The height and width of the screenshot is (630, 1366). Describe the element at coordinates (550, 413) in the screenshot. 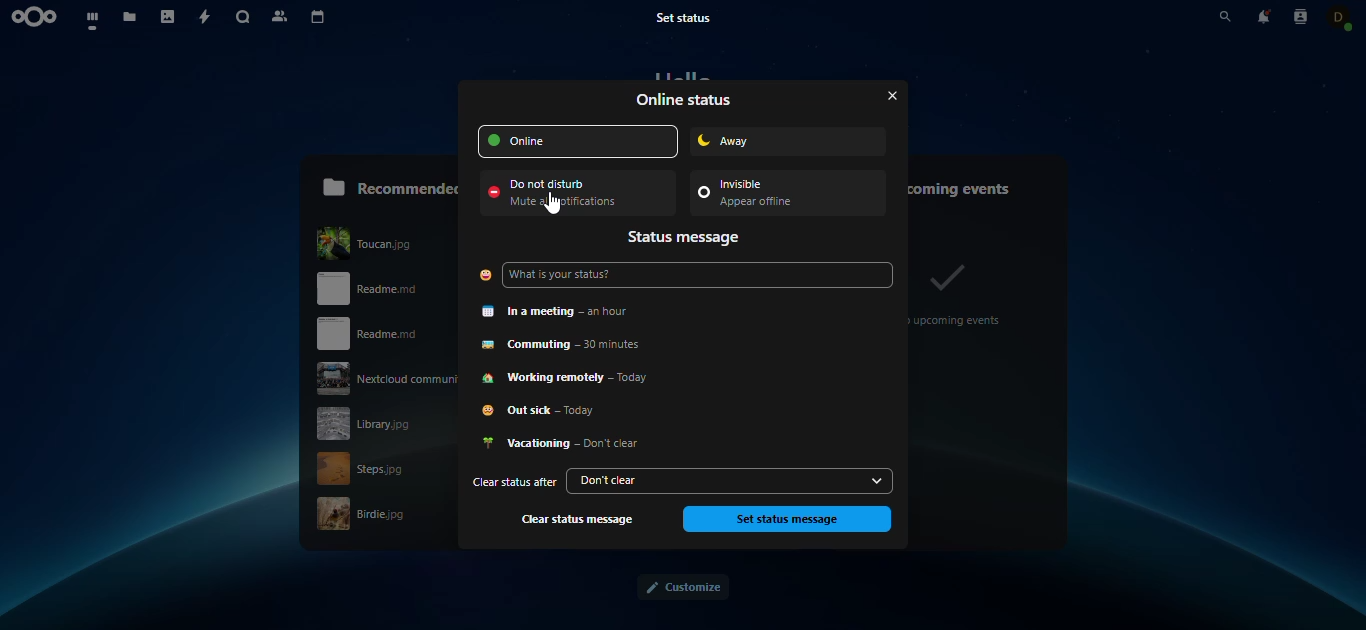

I see `out sick` at that location.